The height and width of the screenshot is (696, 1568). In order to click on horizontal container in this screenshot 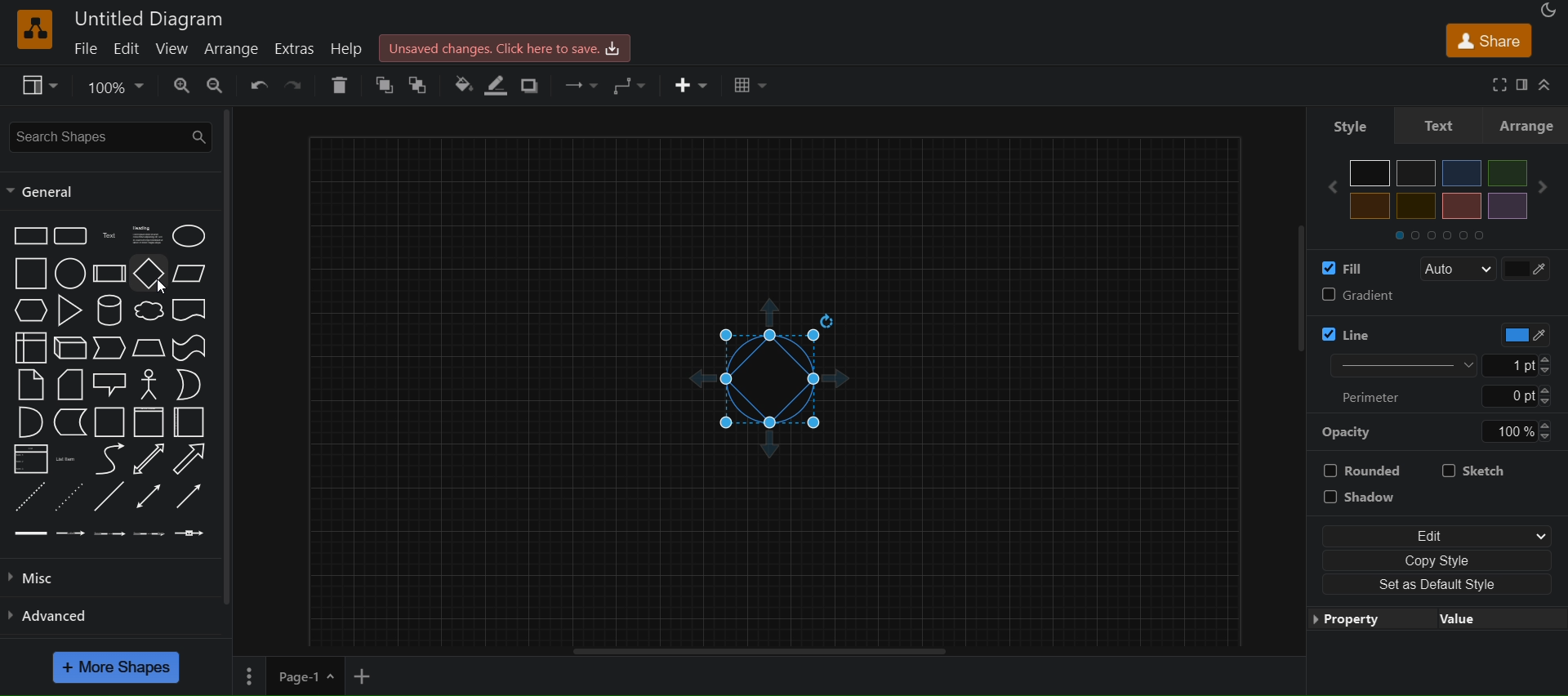, I will do `click(189, 422)`.